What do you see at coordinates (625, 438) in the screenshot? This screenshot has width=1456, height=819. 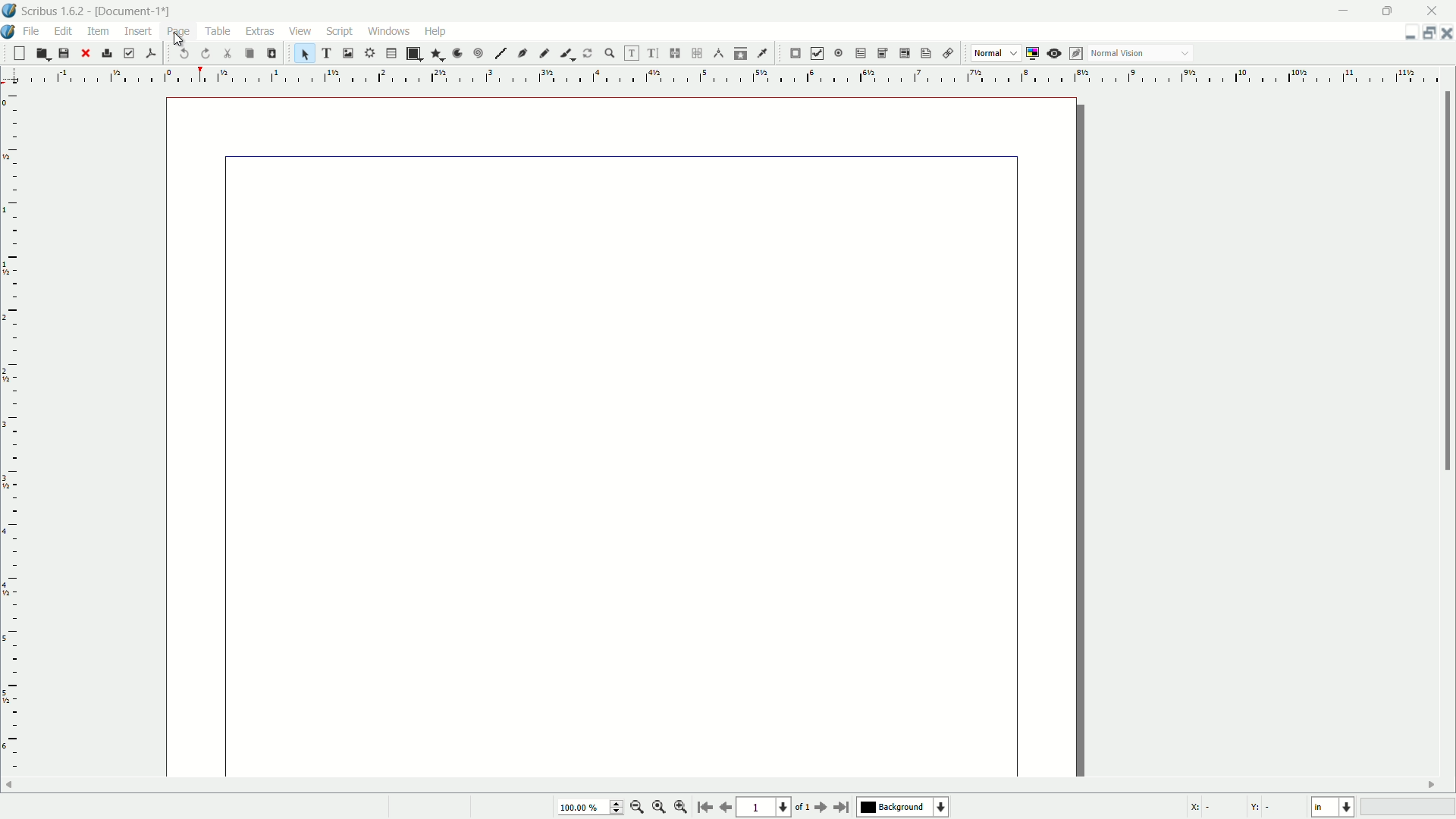 I see `document` at bounding box center [625, 438].